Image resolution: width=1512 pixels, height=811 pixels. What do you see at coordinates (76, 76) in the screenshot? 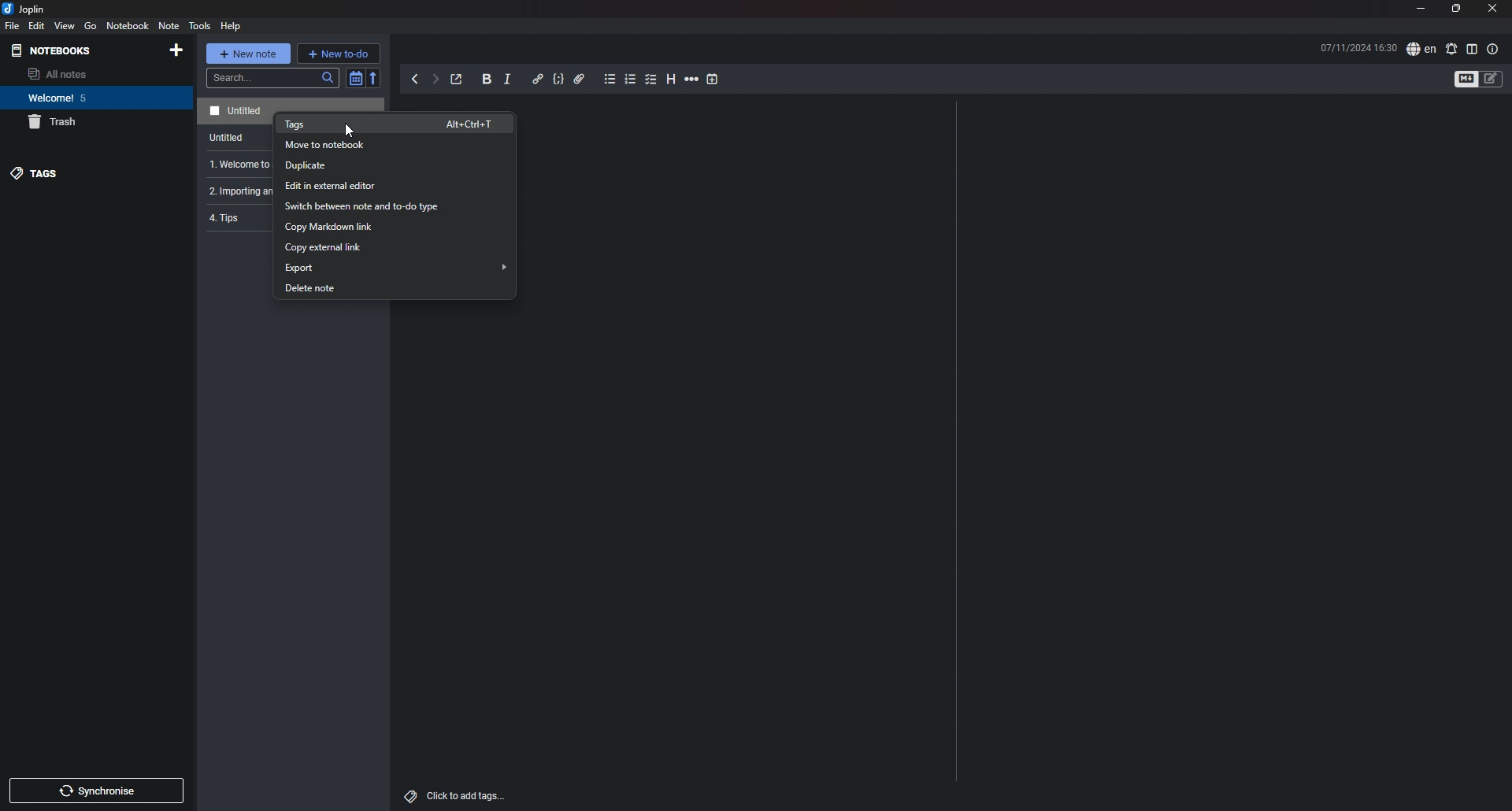
I see `all notes` at bounding box center [76, 76].